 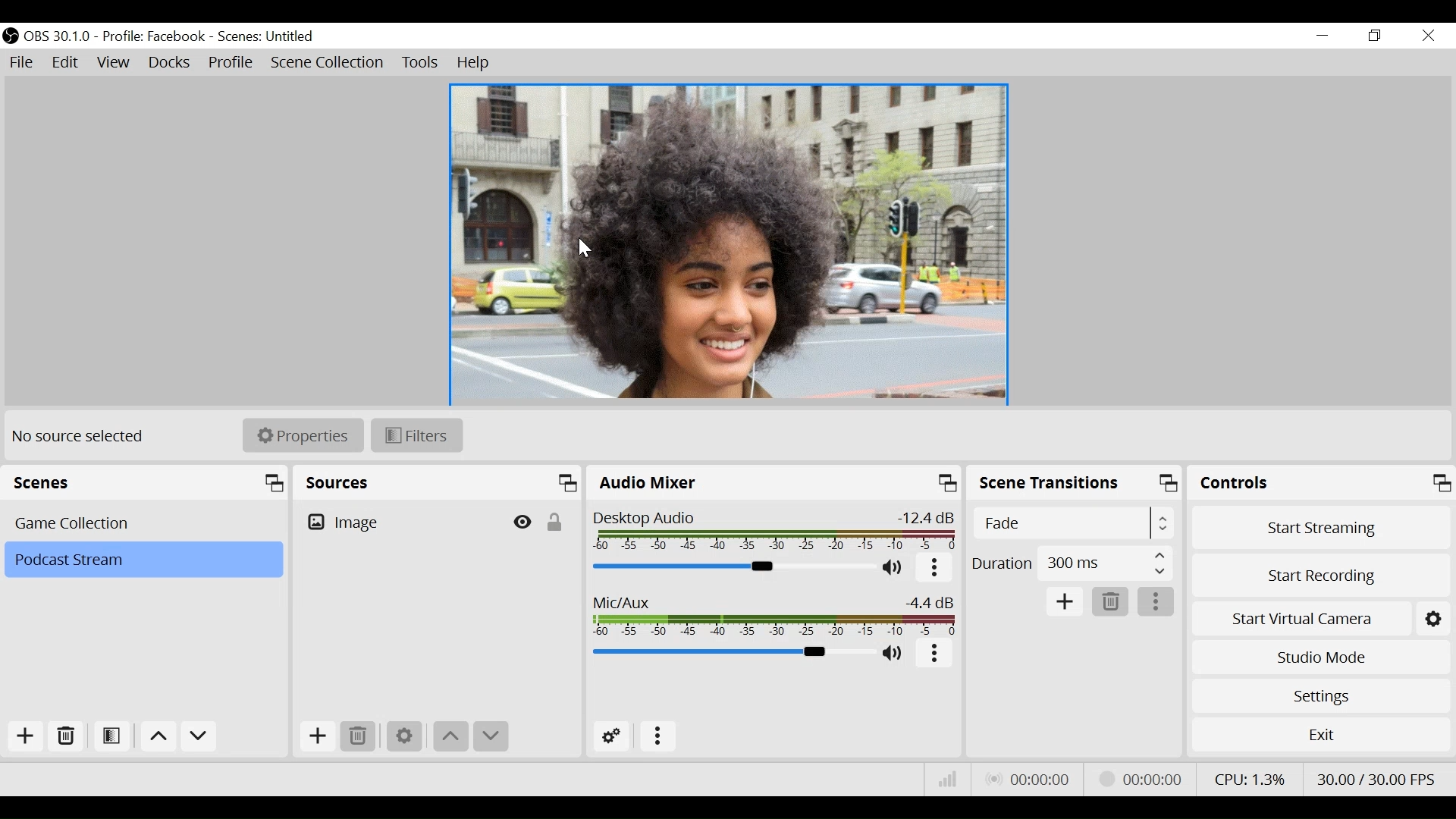 What do you see at coordinates (1376, 780) in the screenshot?
I see `Frame Per Second` at bounding box center [1376, 780].